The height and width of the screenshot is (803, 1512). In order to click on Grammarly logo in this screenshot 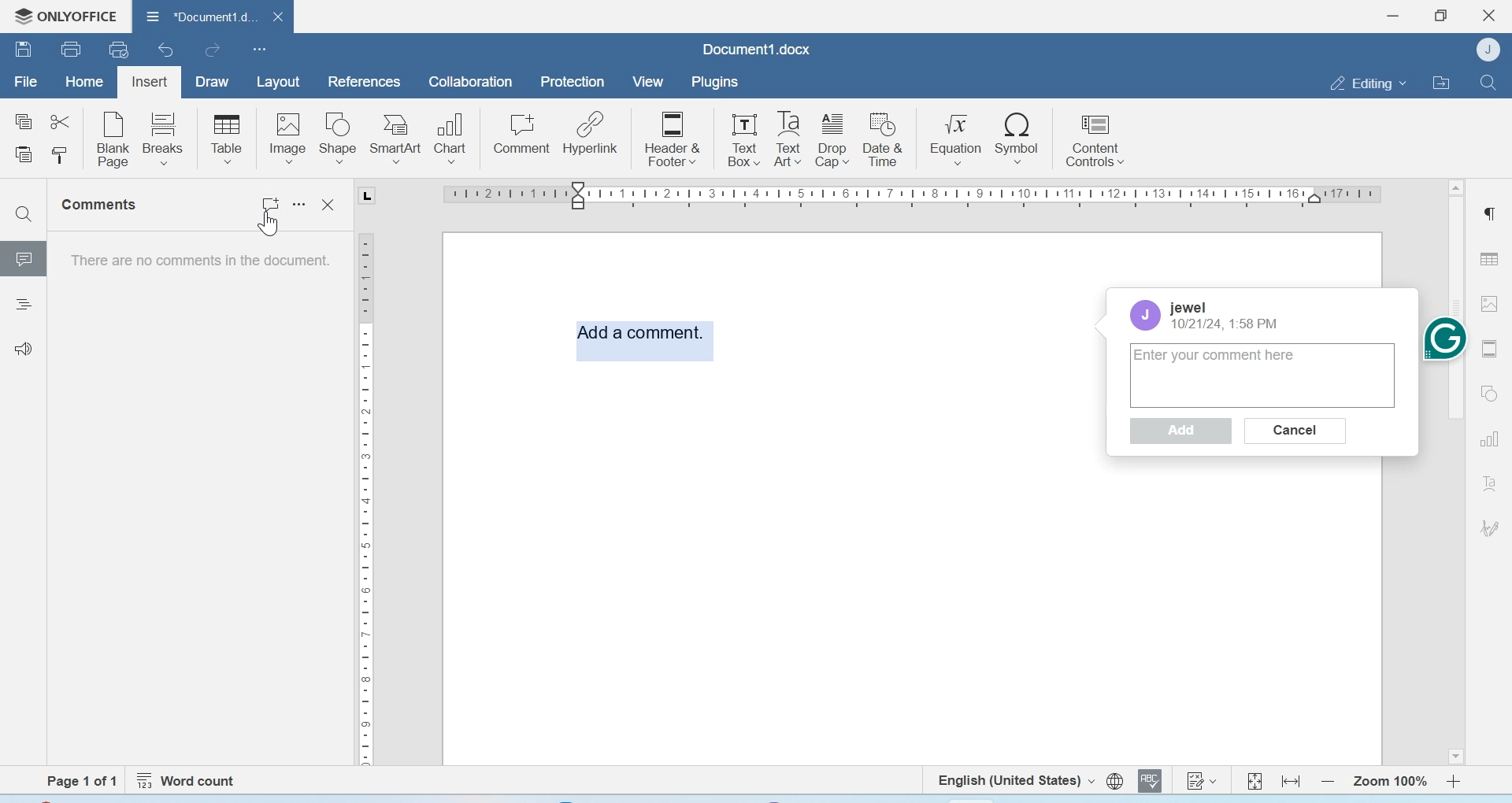, I will do `click(1443, 337)`.